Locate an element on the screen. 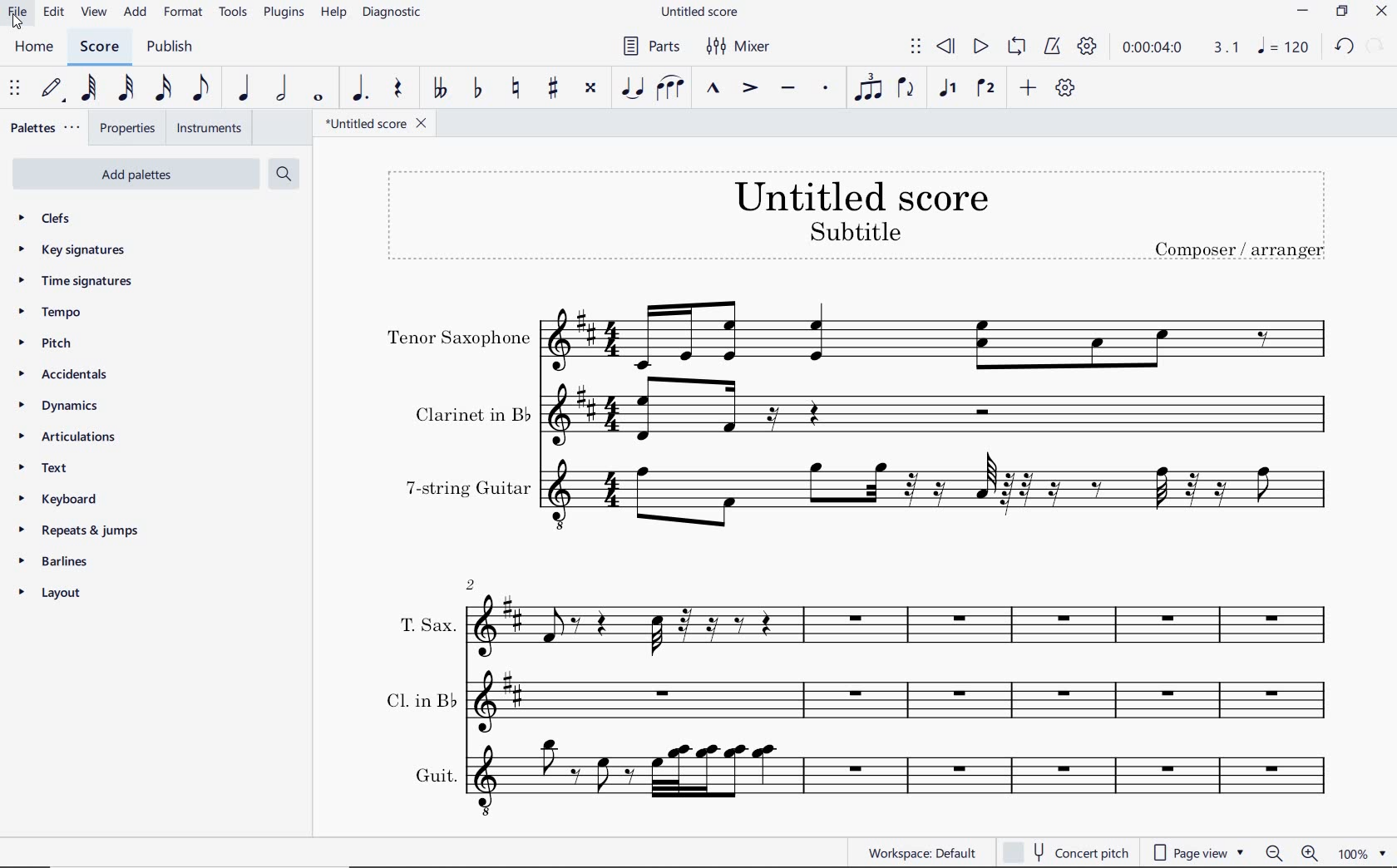 The height and width of the screenshot is (868, 1397). TOGGLE NATURAL is located at coordinates (515, 89).